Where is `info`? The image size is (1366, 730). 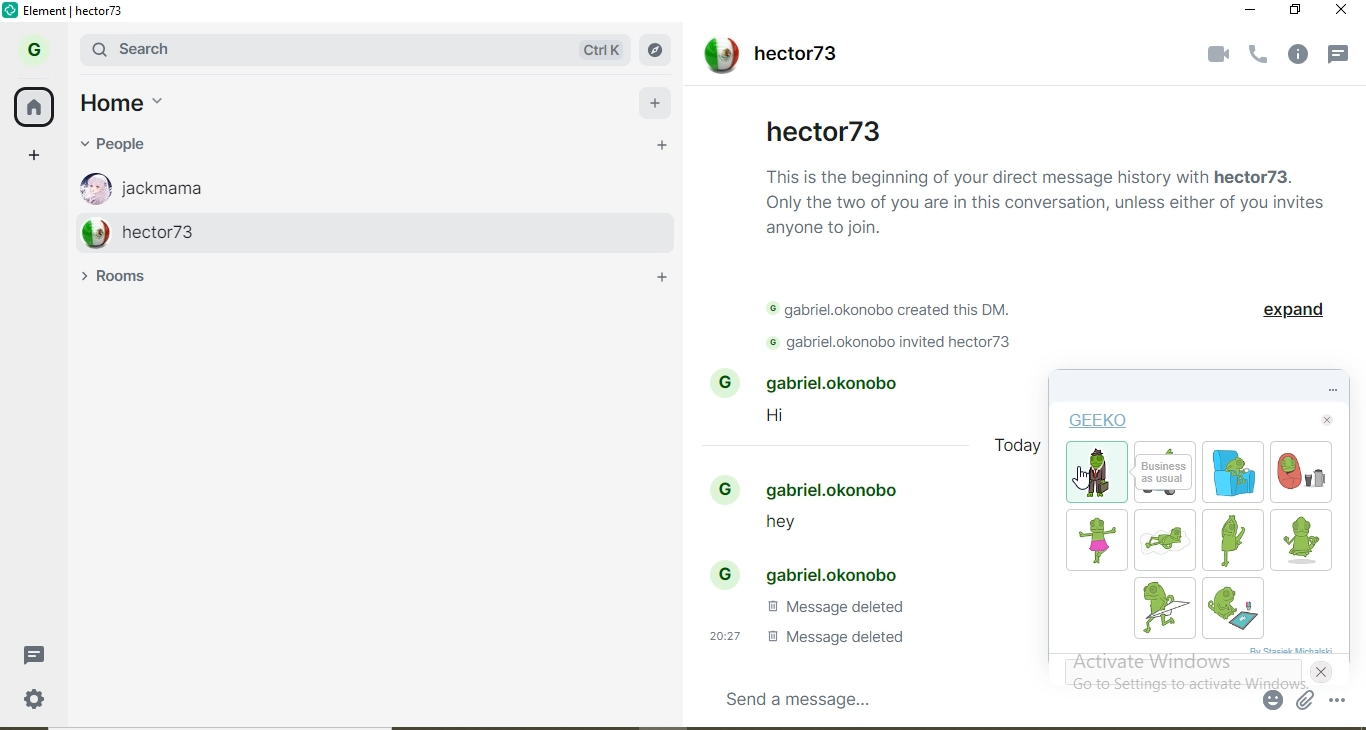 info is located at coordinates (1301, 55).